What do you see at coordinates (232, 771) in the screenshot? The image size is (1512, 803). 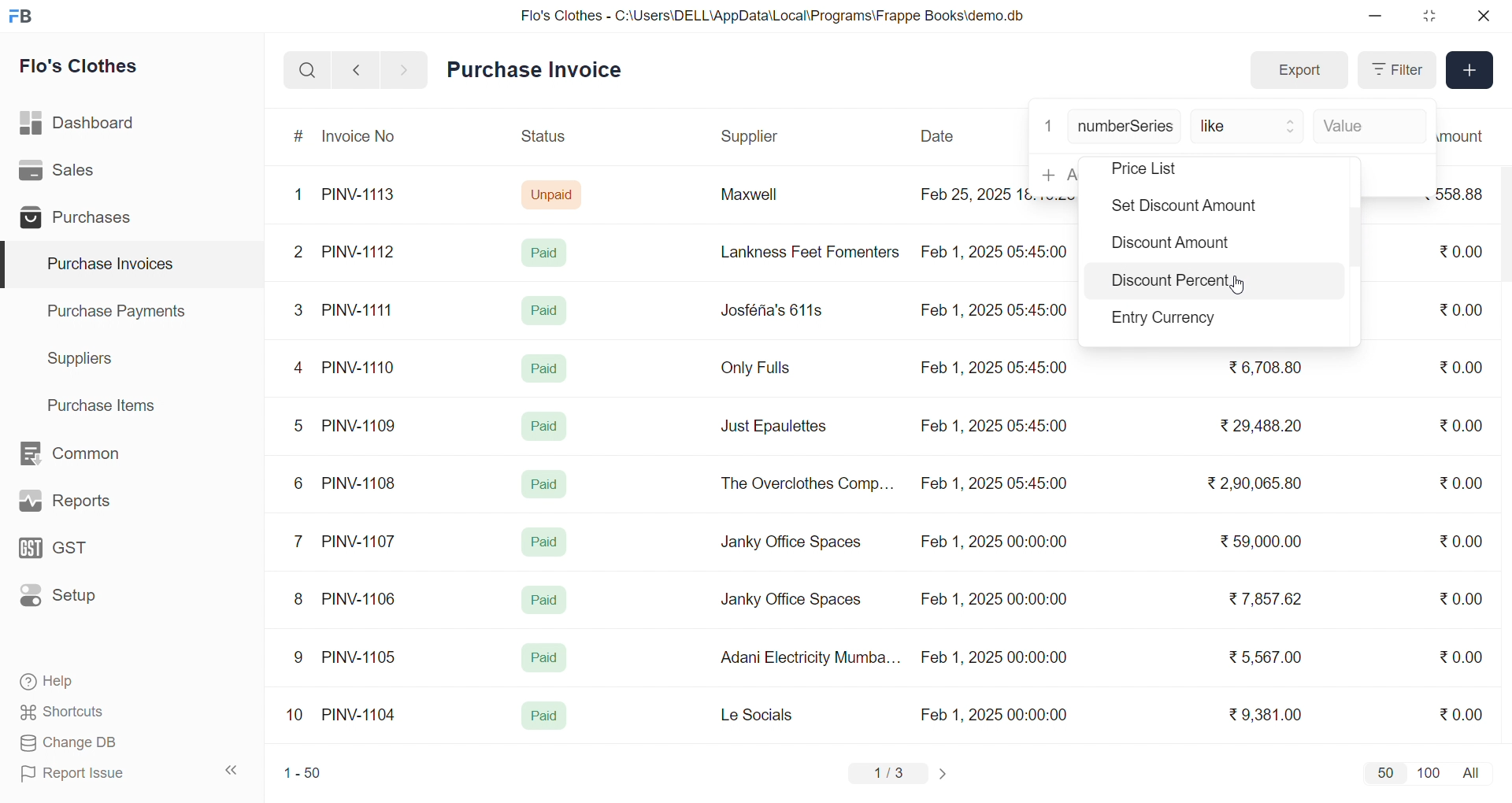 I see `collapse sidebar` at bounding box center [232, 771].